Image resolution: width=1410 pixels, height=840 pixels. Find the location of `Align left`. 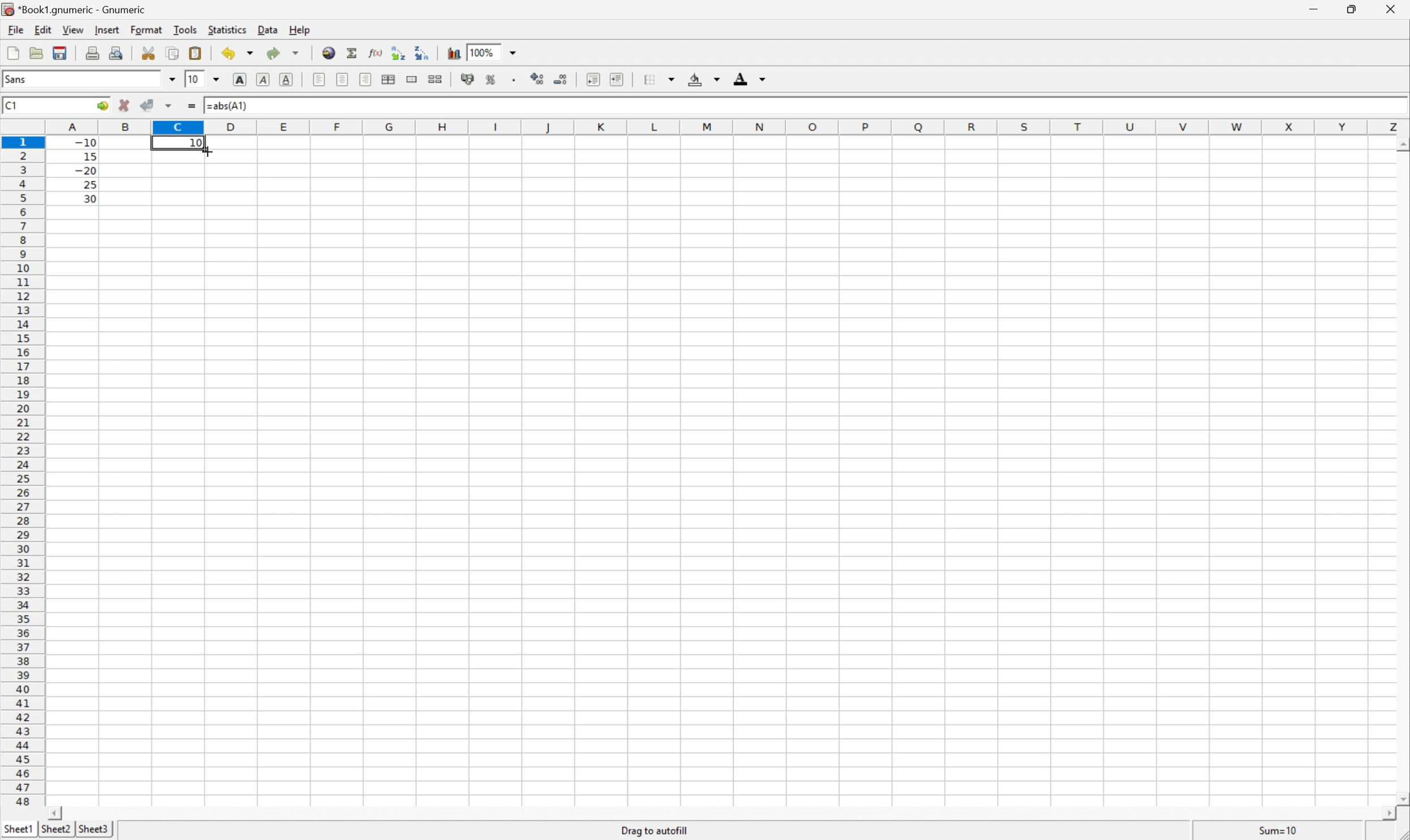

Align left is located at coordinates (318, 78).